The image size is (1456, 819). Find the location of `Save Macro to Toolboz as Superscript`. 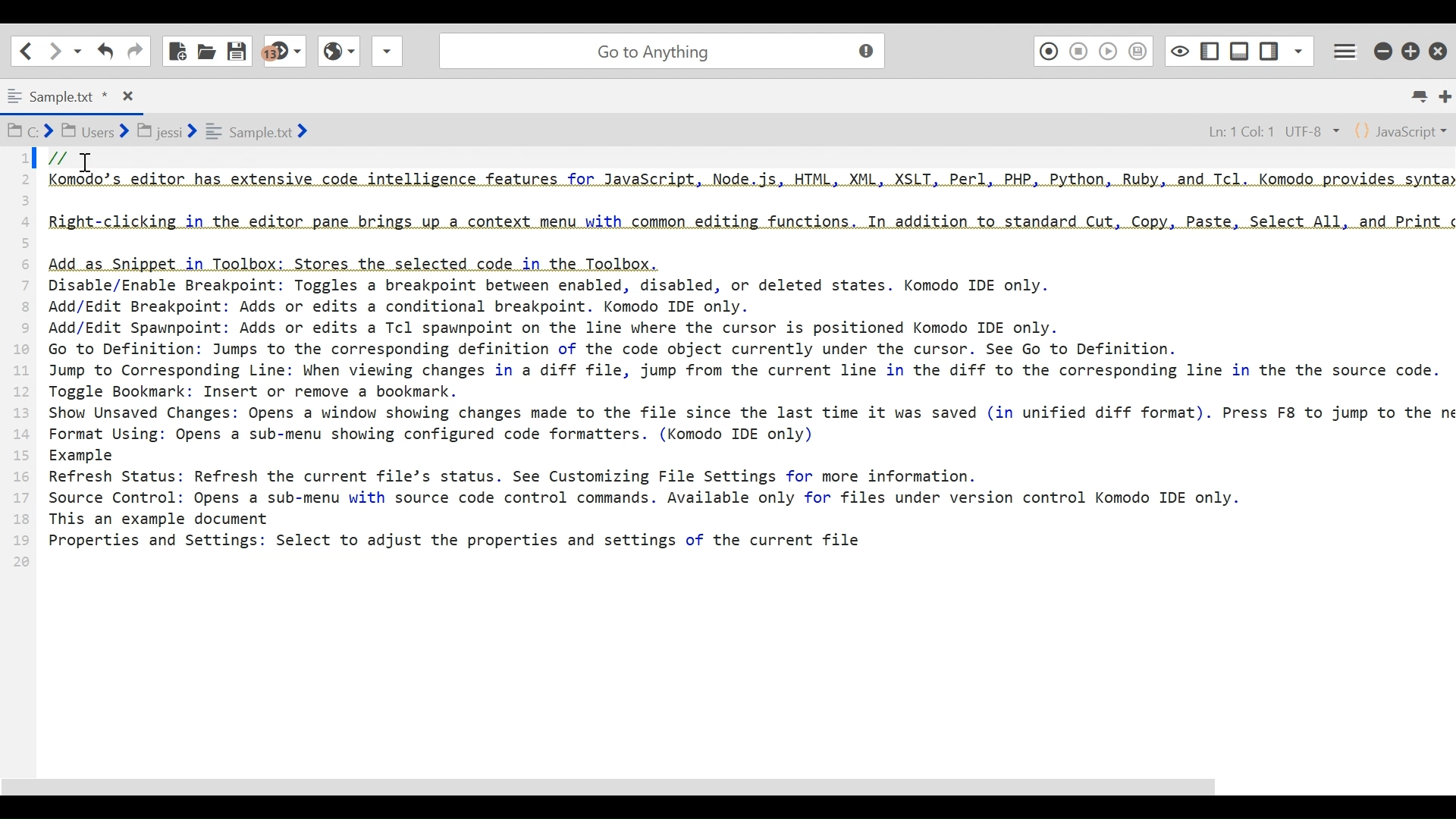

Save Macro to Toolboz as Superscript is located at coordinates (1141, 50).